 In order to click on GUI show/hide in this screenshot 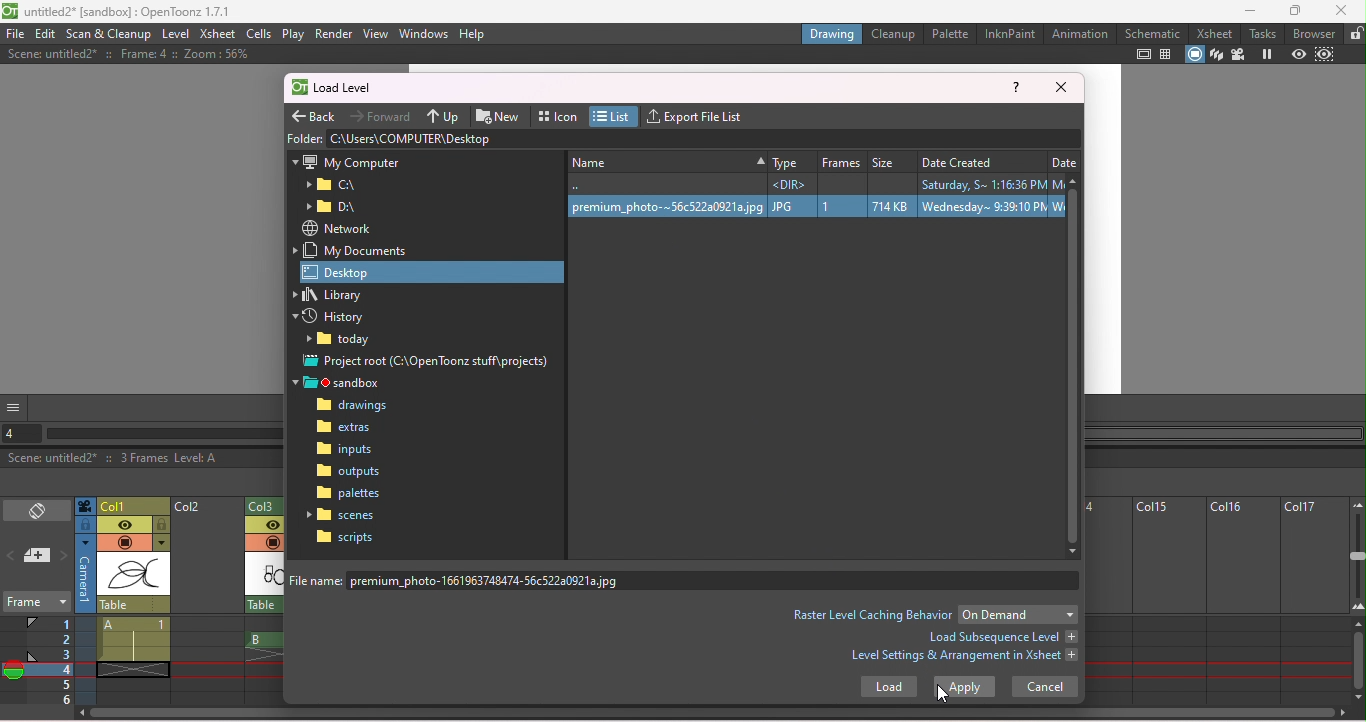, I will do `click(15, 407)`.